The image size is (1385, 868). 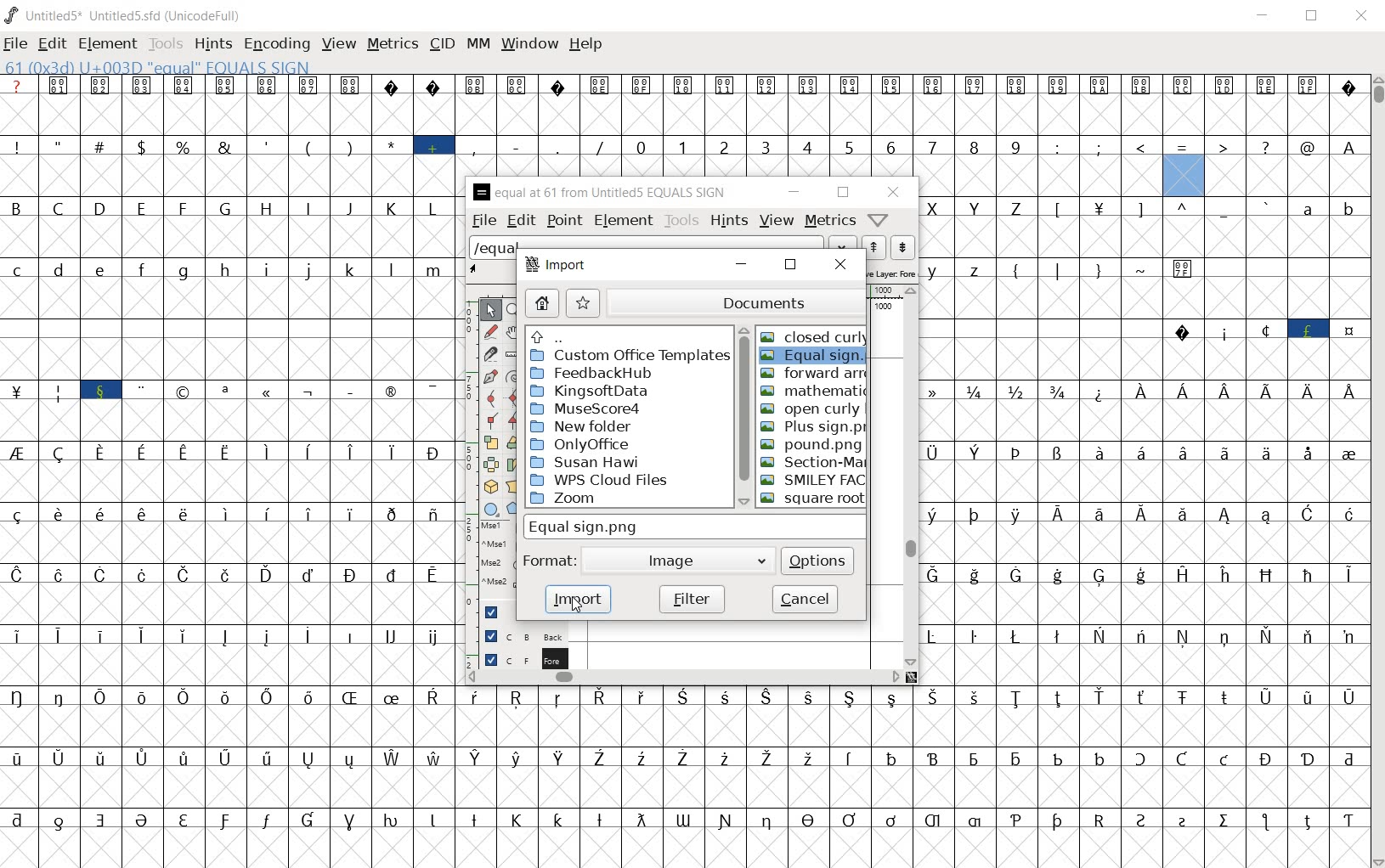 I want to click on edit, so click(x=520, y=221).